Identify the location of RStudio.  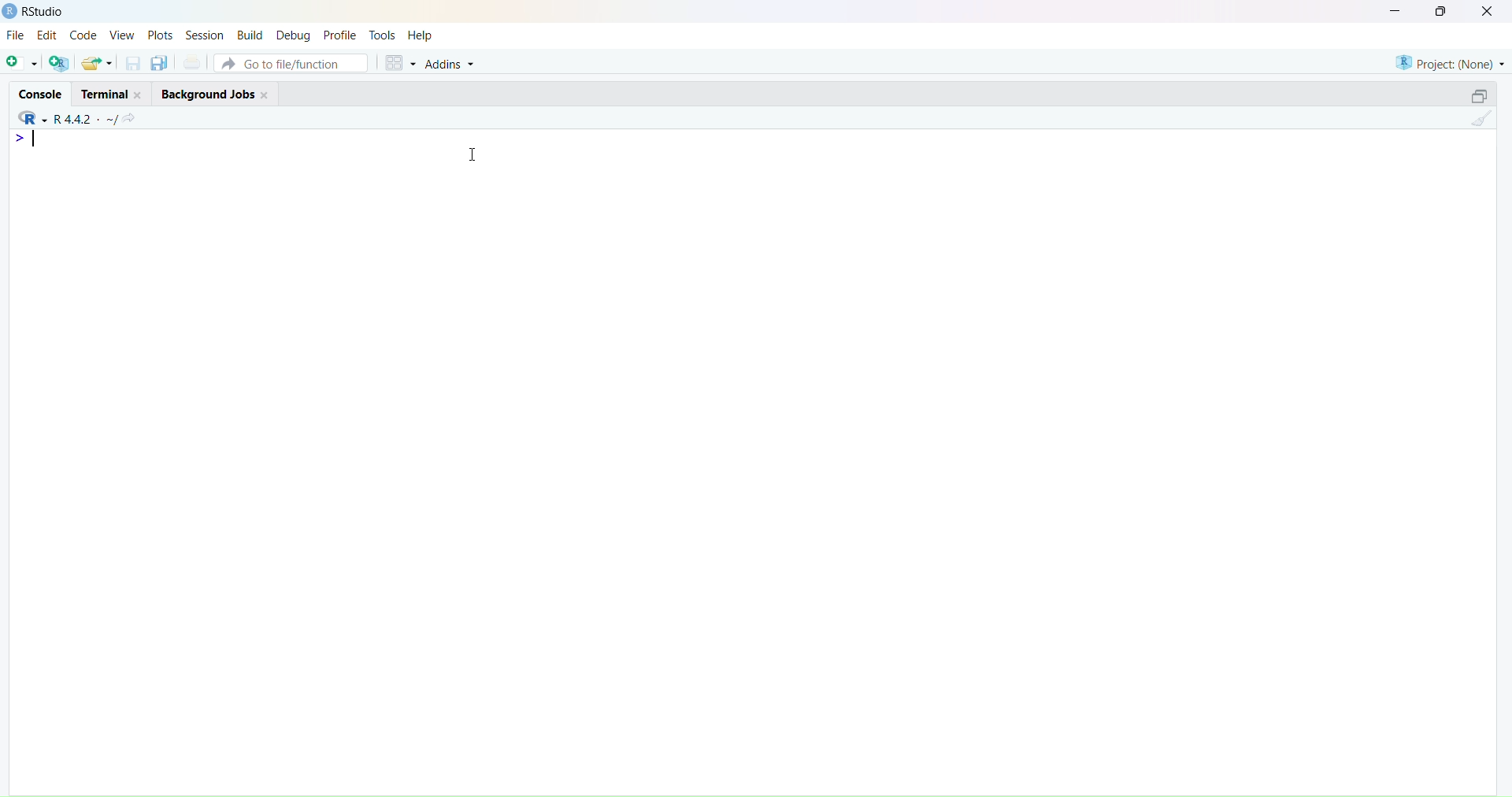
(45, 11).